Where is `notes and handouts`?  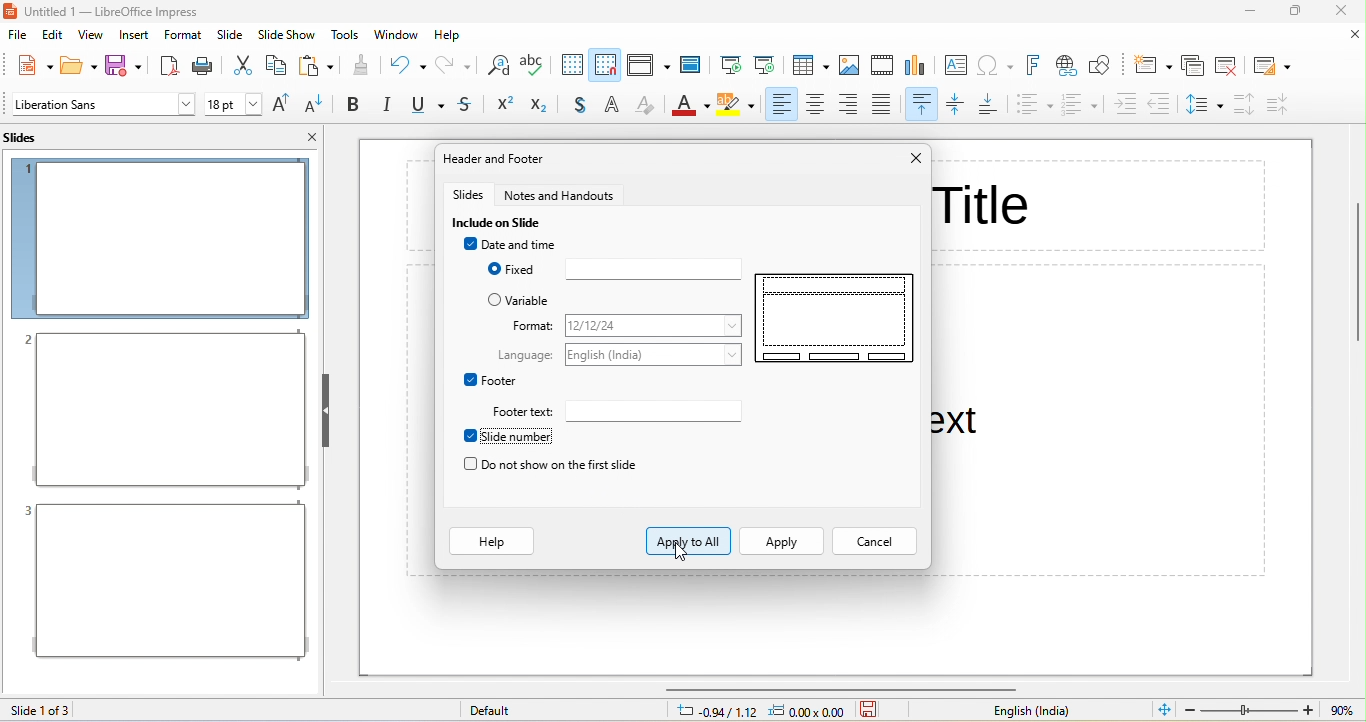
notes and handouts is located at coordinates (561, 194).